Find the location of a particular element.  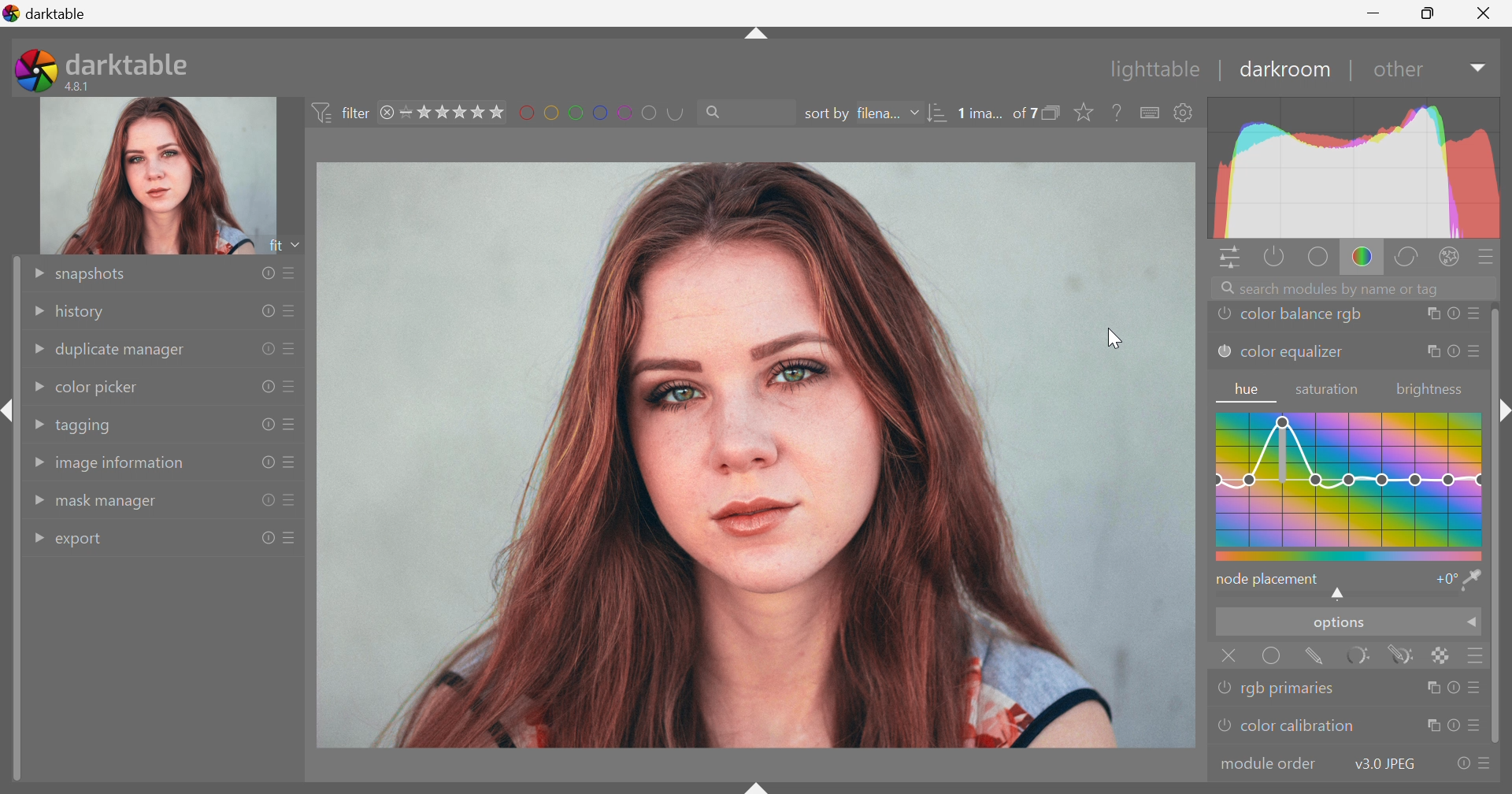

correct is located at coordinates (1412, 258).